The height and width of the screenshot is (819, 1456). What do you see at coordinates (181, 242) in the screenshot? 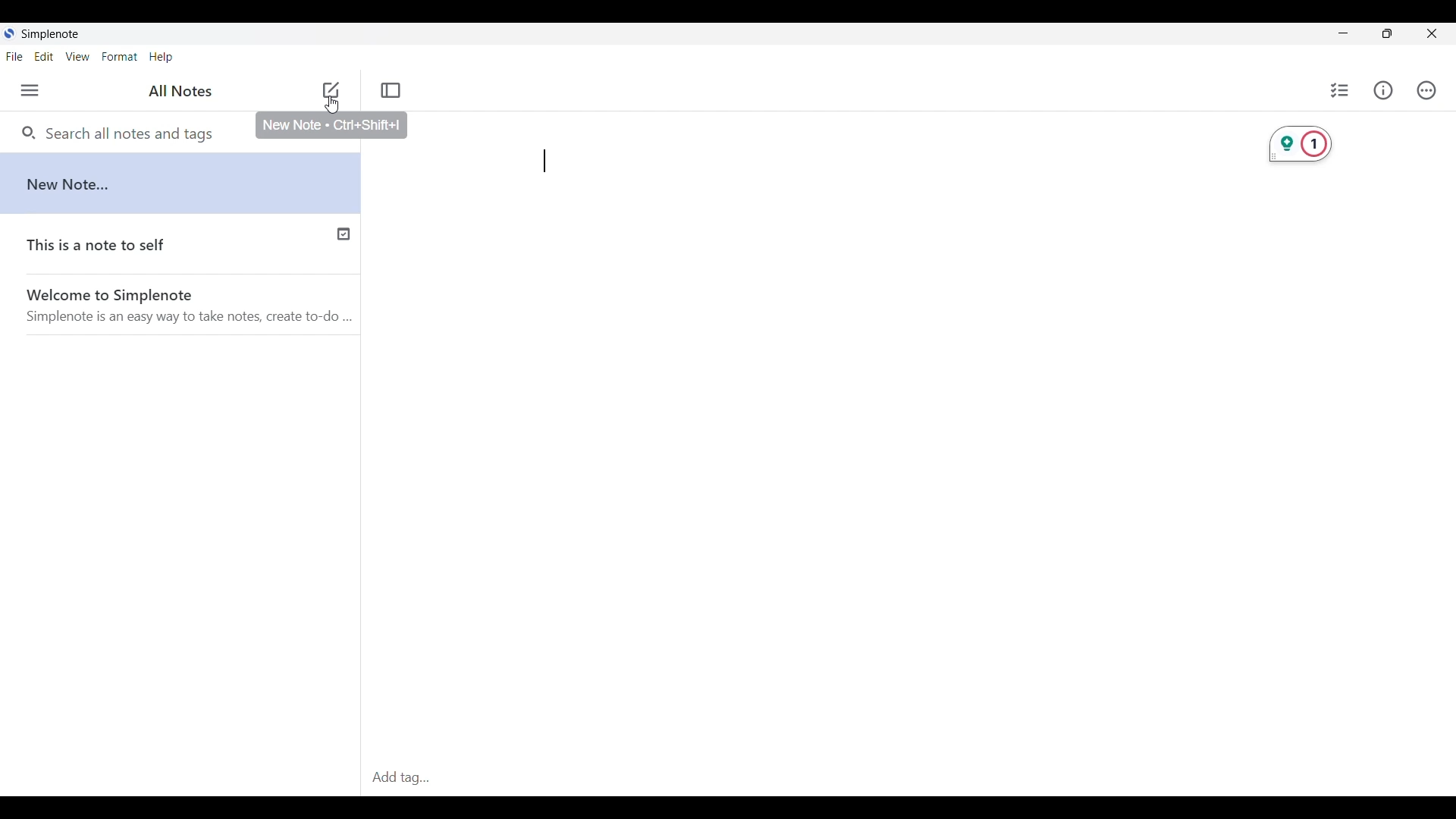
I see `This is a note to self(Published note indicated with a check icon)` at bounding box center [181, 242].